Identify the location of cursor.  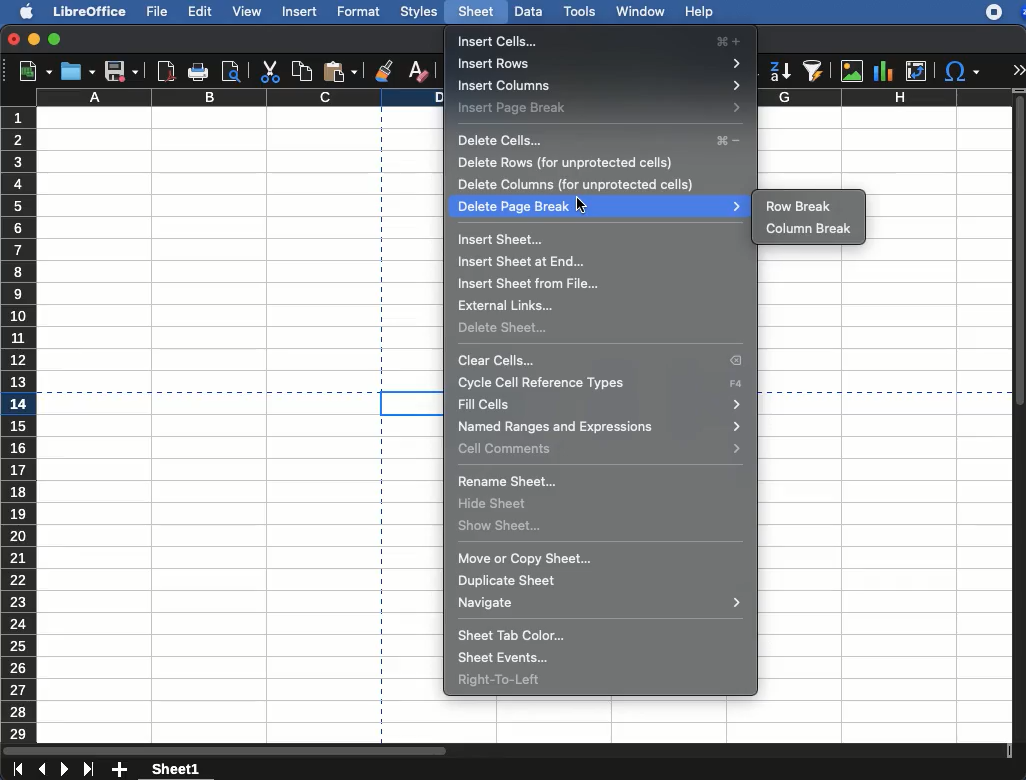
(582, 209).